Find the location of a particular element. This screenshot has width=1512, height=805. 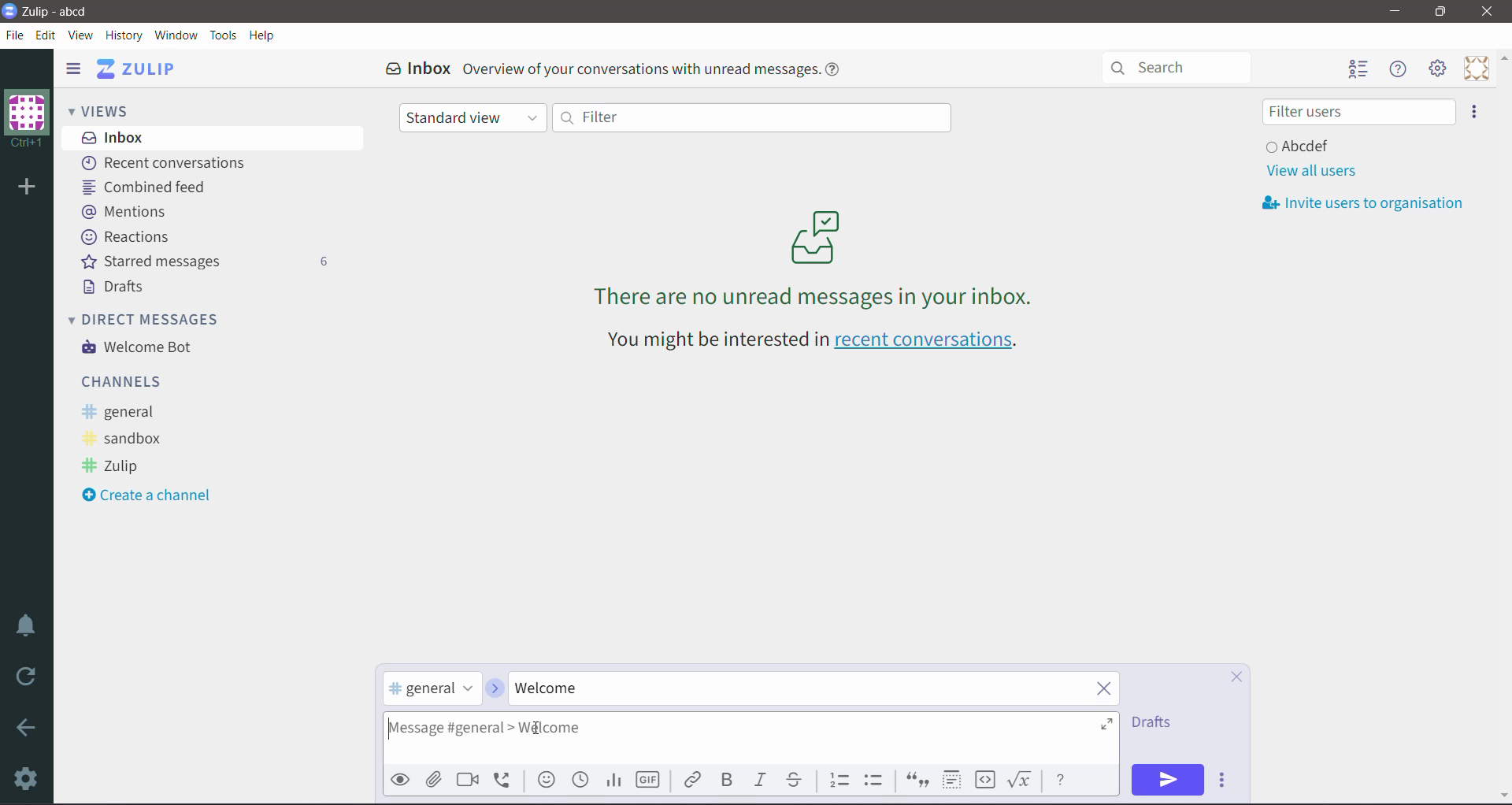

sandbox is located at coordinates (128, 440).